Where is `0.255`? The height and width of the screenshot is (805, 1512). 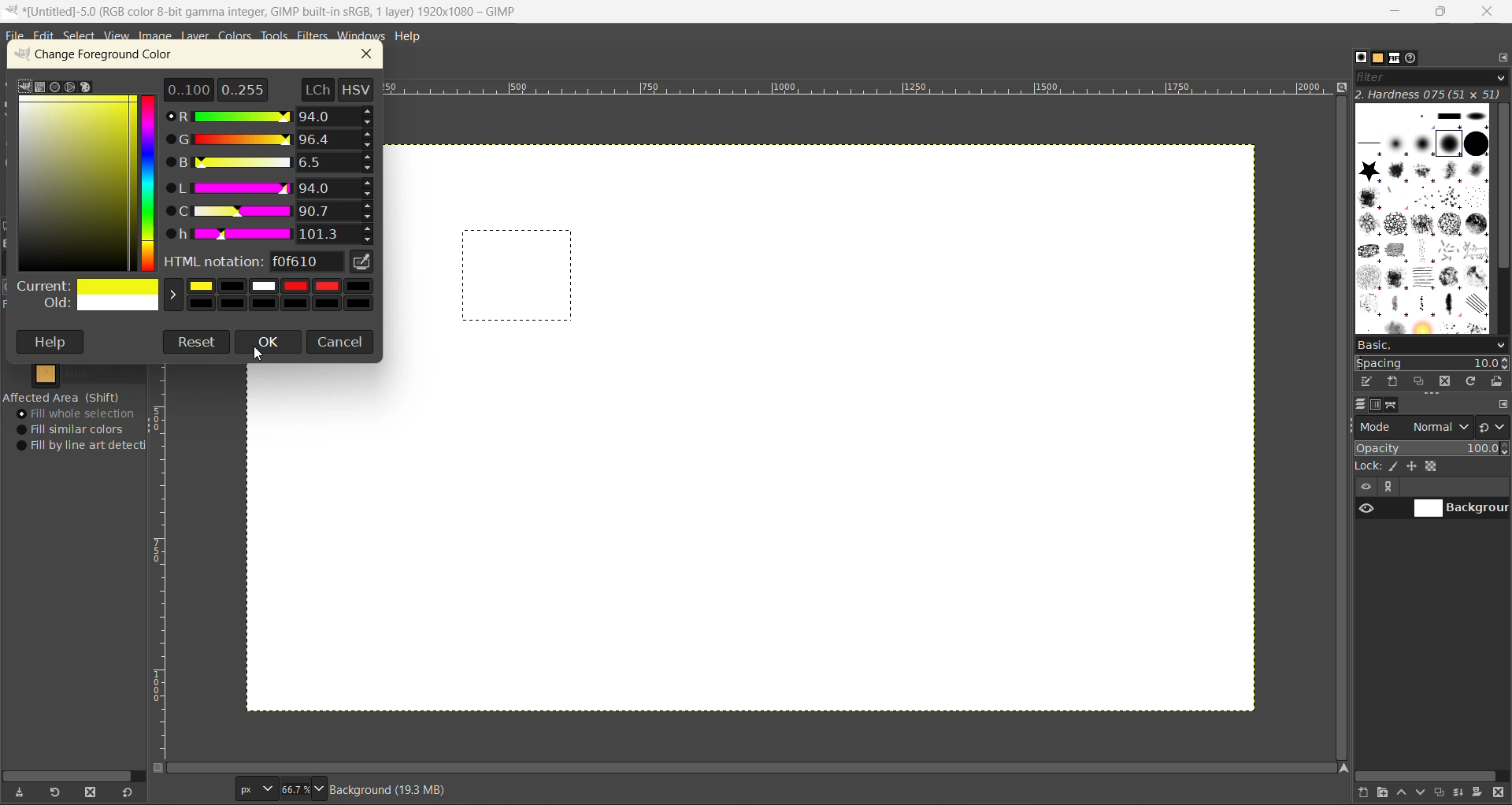 0.255 is located at coordinates (243, 87).